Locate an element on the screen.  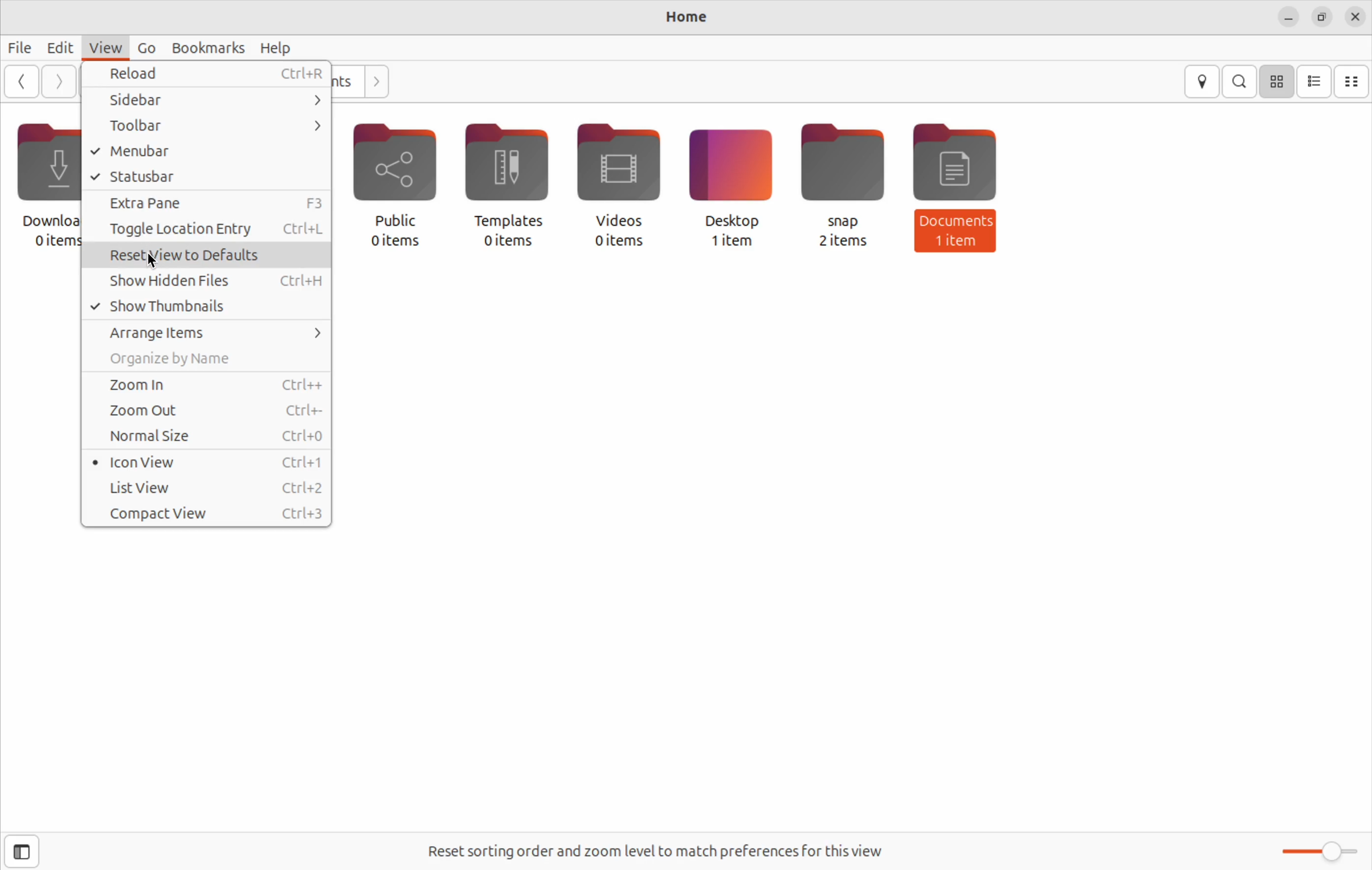
Toolbar is located at coordinates (208, 128).